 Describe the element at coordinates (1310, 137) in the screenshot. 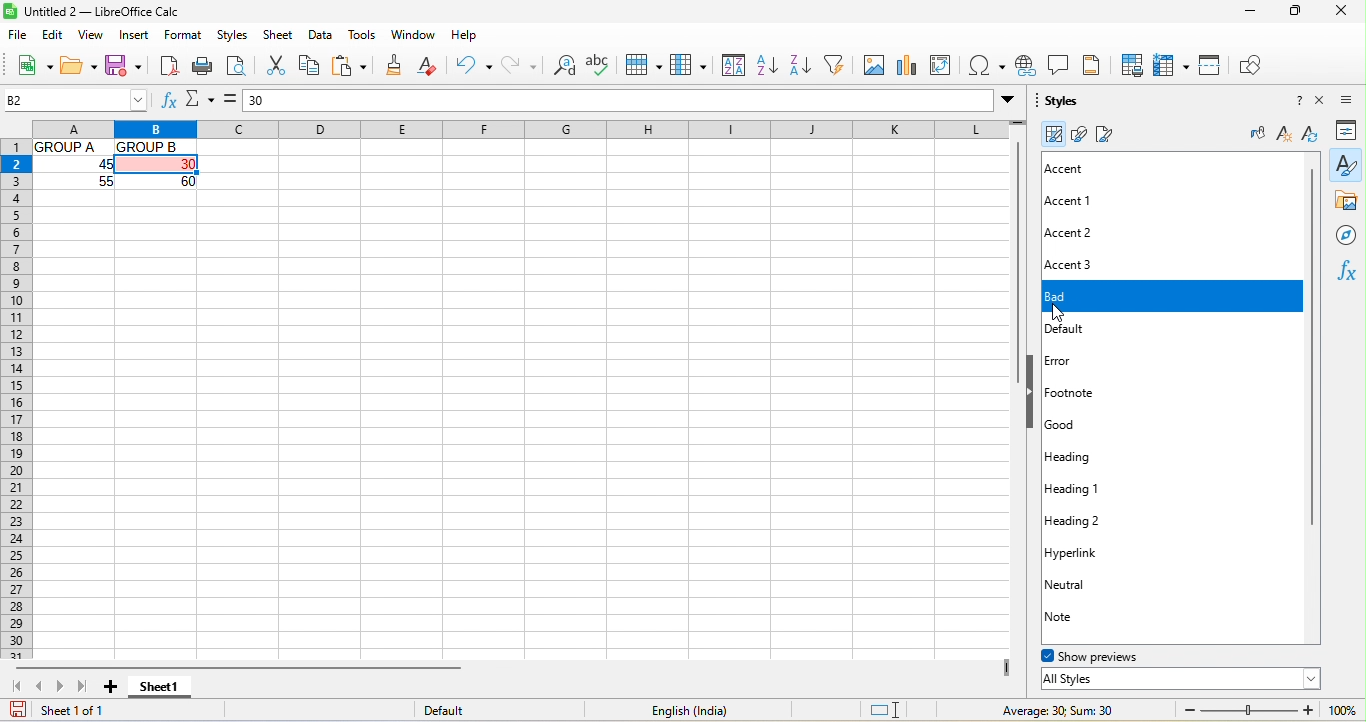

I see `update style` at that location.